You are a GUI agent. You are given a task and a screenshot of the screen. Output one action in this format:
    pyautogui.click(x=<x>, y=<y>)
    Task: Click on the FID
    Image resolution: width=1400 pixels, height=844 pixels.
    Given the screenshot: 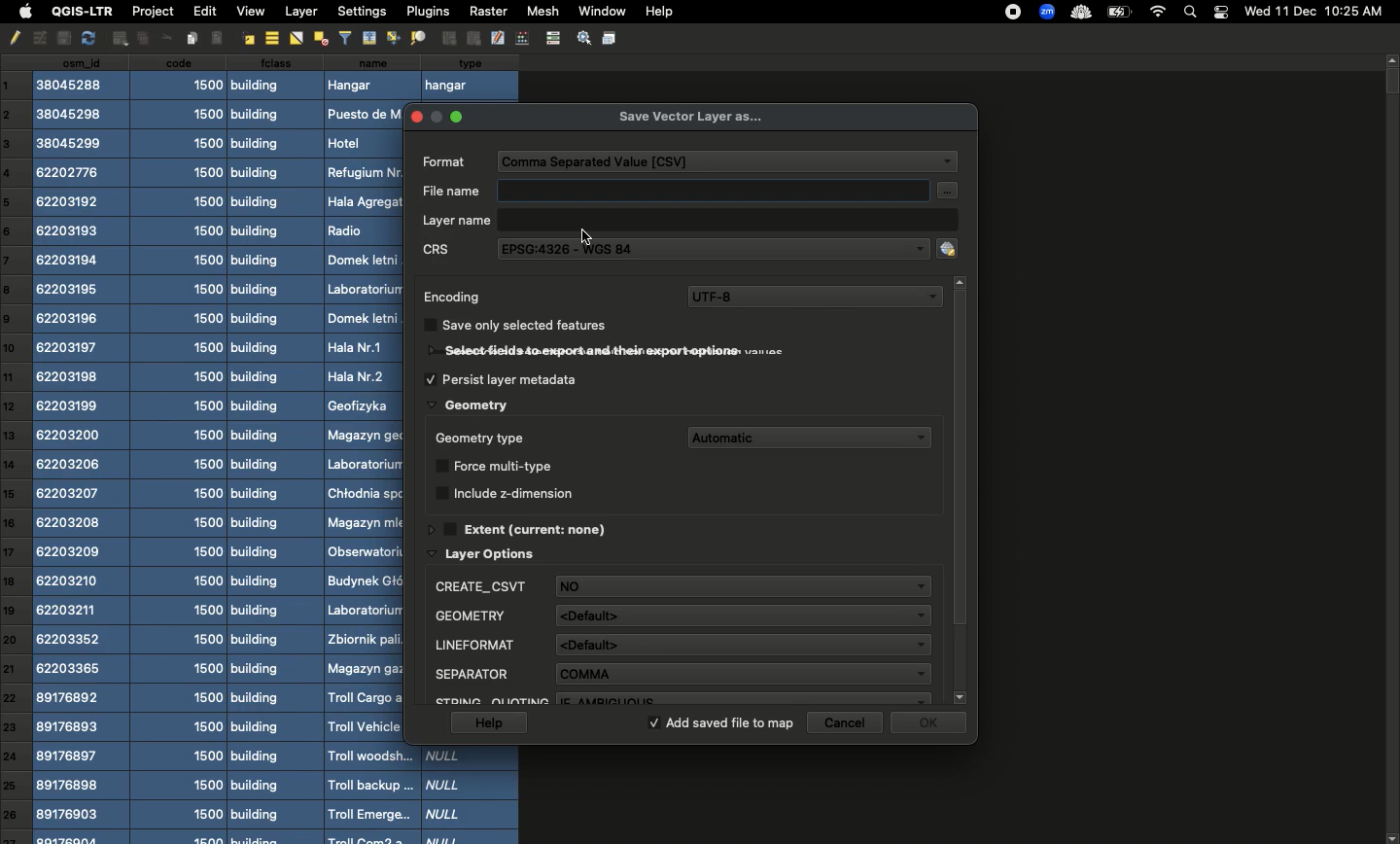 What is the action you would take?
    pyautogui.click(x=679, y=612)
    